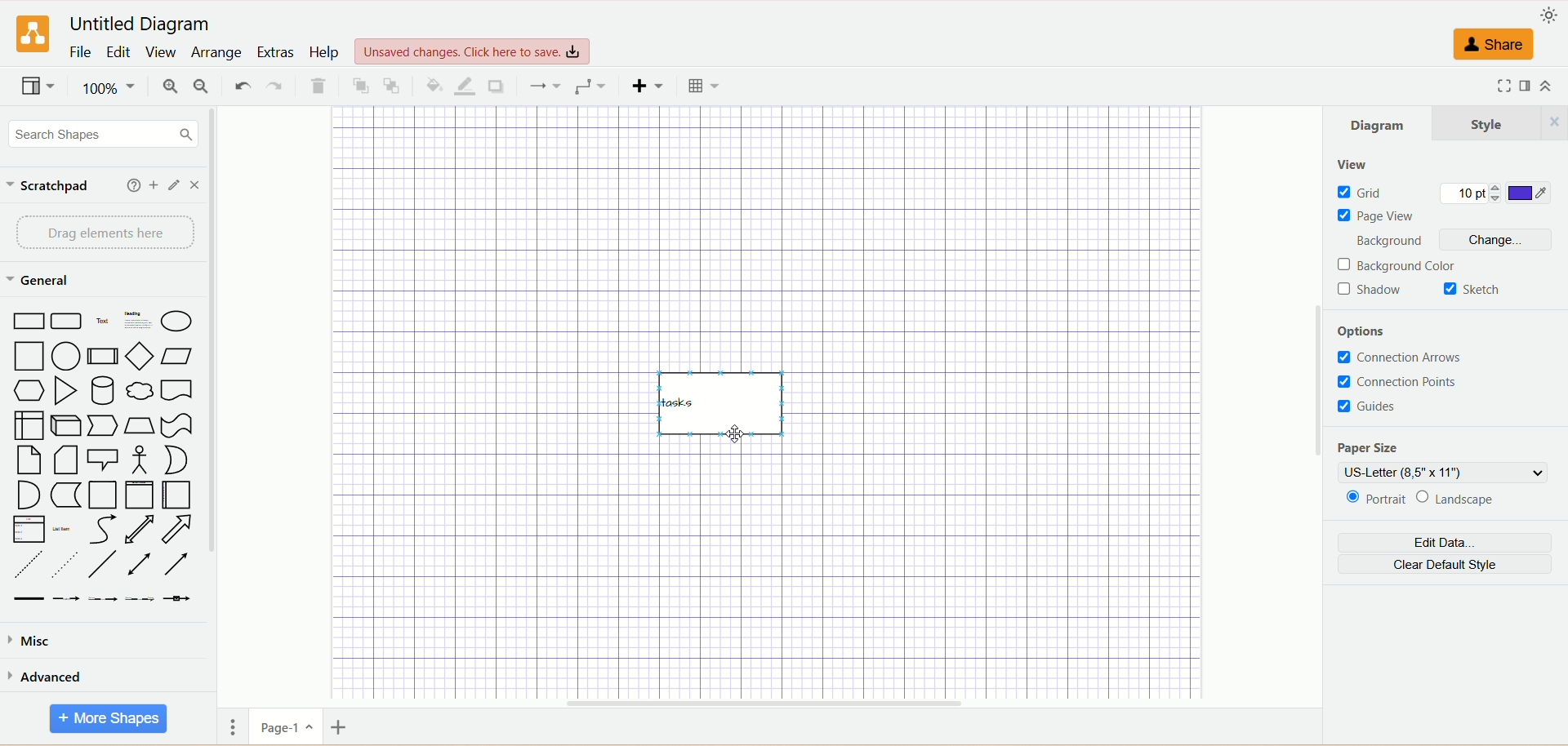  What do you see at coordinates (48, 188) in the screenshot?
I see `scratchpad` at bounding box center [48, 188].